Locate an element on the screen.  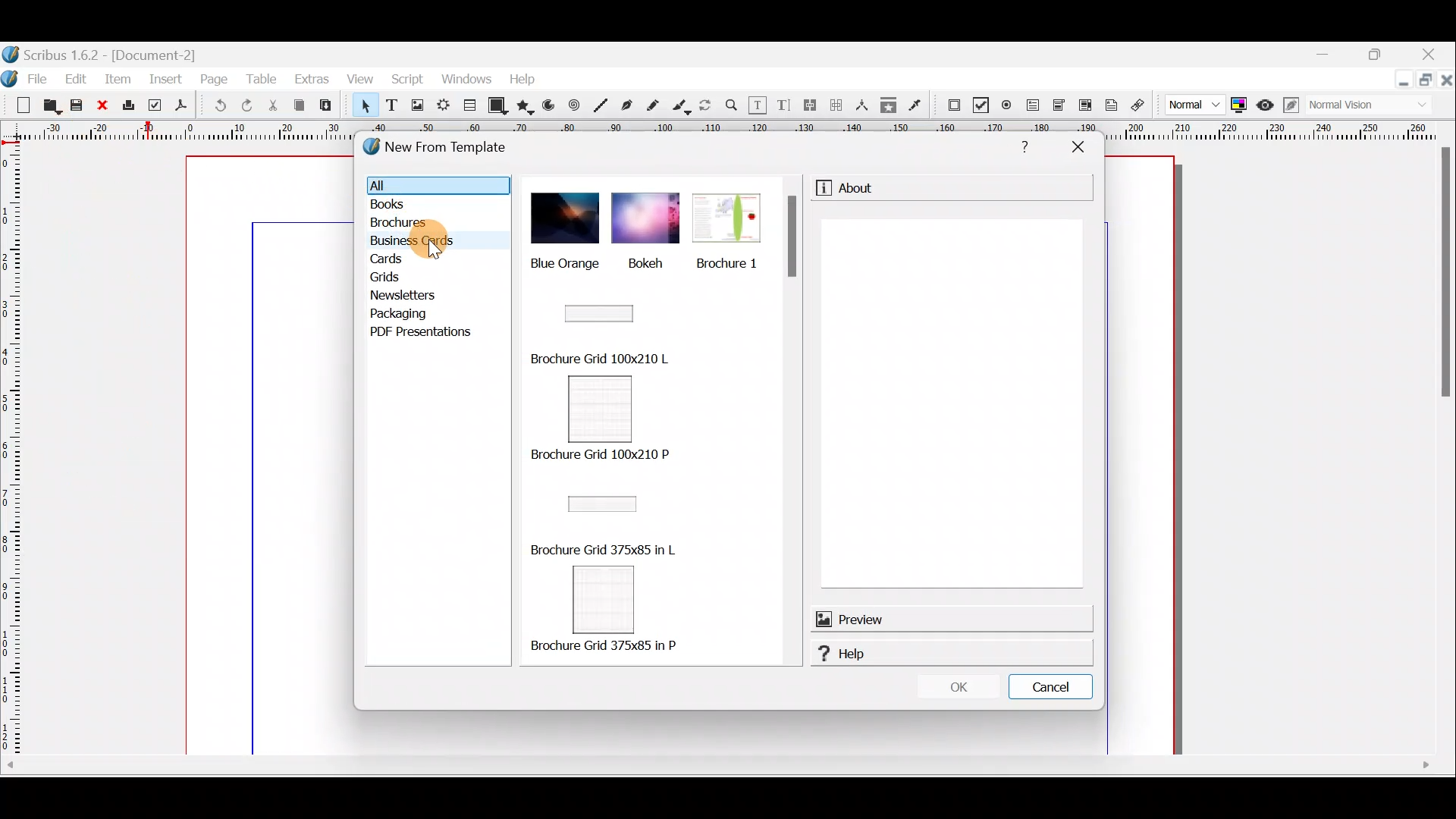
Cancel is located at coordinates (1053, 684).